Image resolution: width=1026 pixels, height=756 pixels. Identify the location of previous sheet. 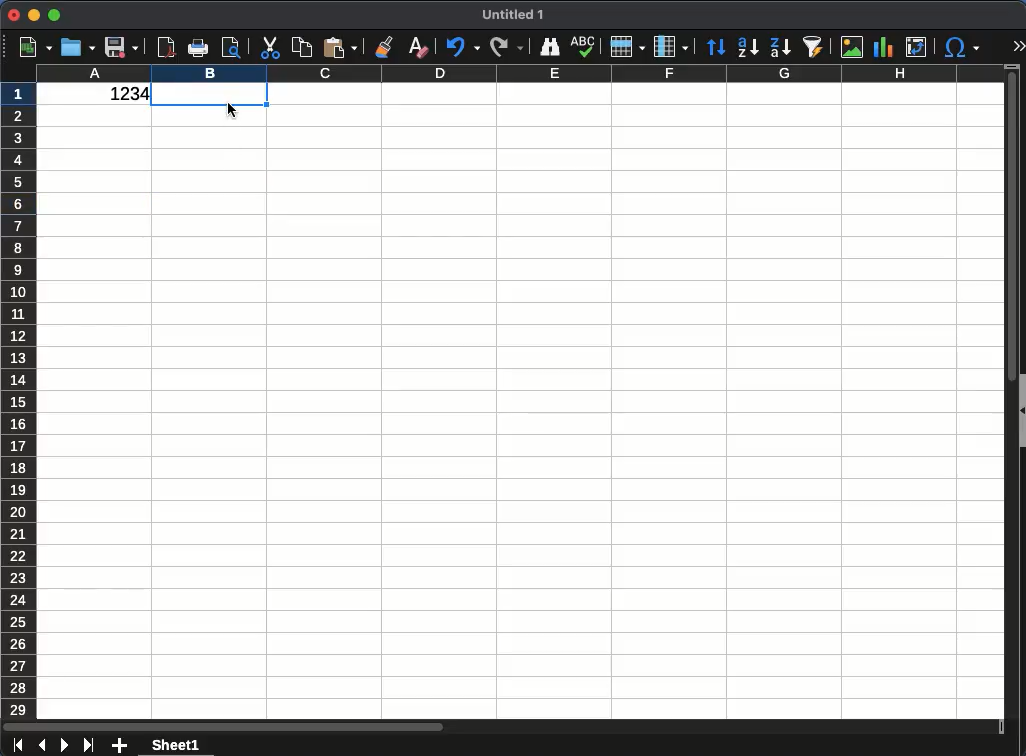
(44, 744).